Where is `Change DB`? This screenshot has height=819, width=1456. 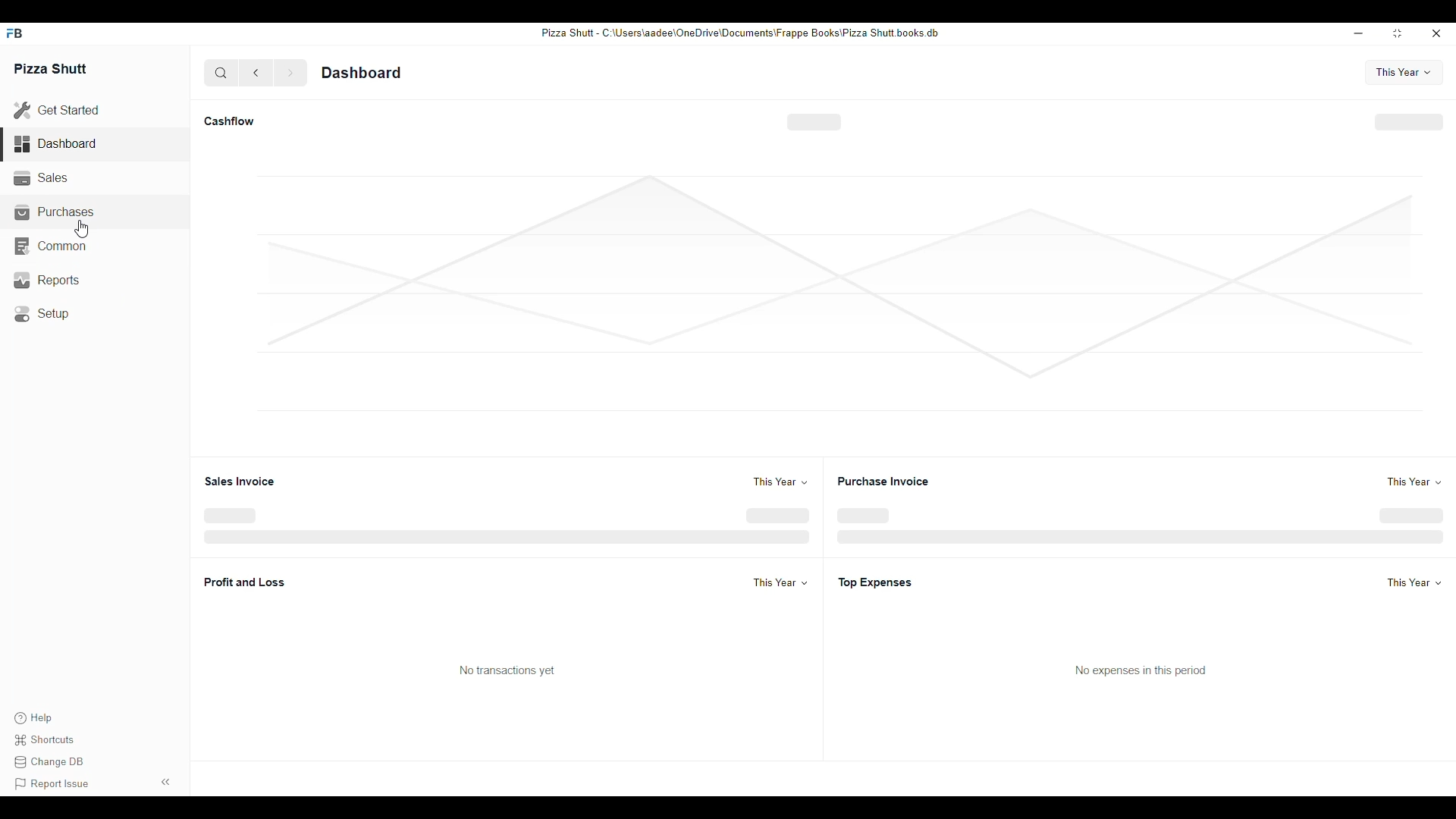 Change DB is located at coordinates (52, 764).